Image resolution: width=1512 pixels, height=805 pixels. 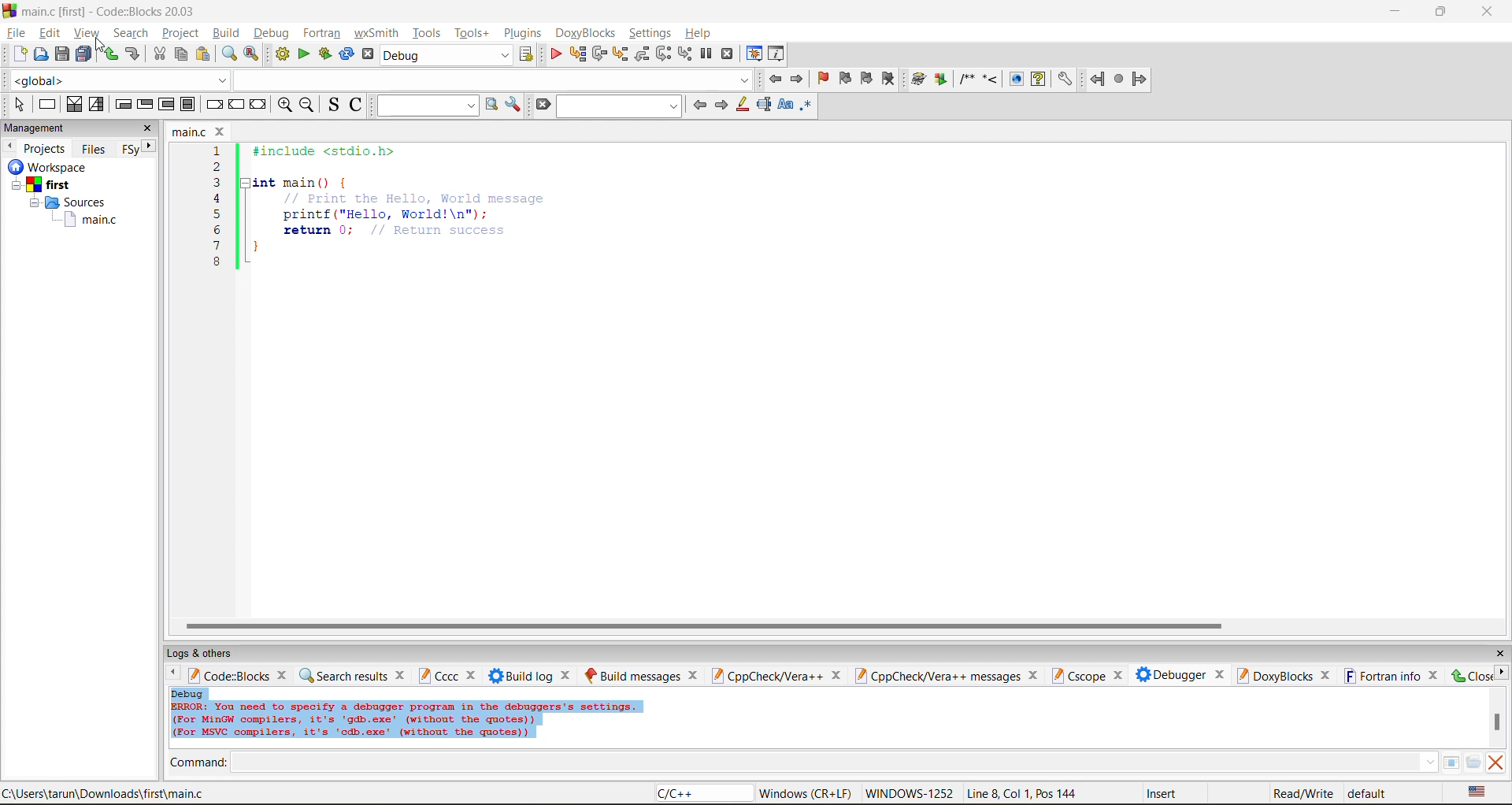 What do you see at coordinates (1299, 795) in the screenshot?
I see `Read/Write` at bounding box center [1299, 795].